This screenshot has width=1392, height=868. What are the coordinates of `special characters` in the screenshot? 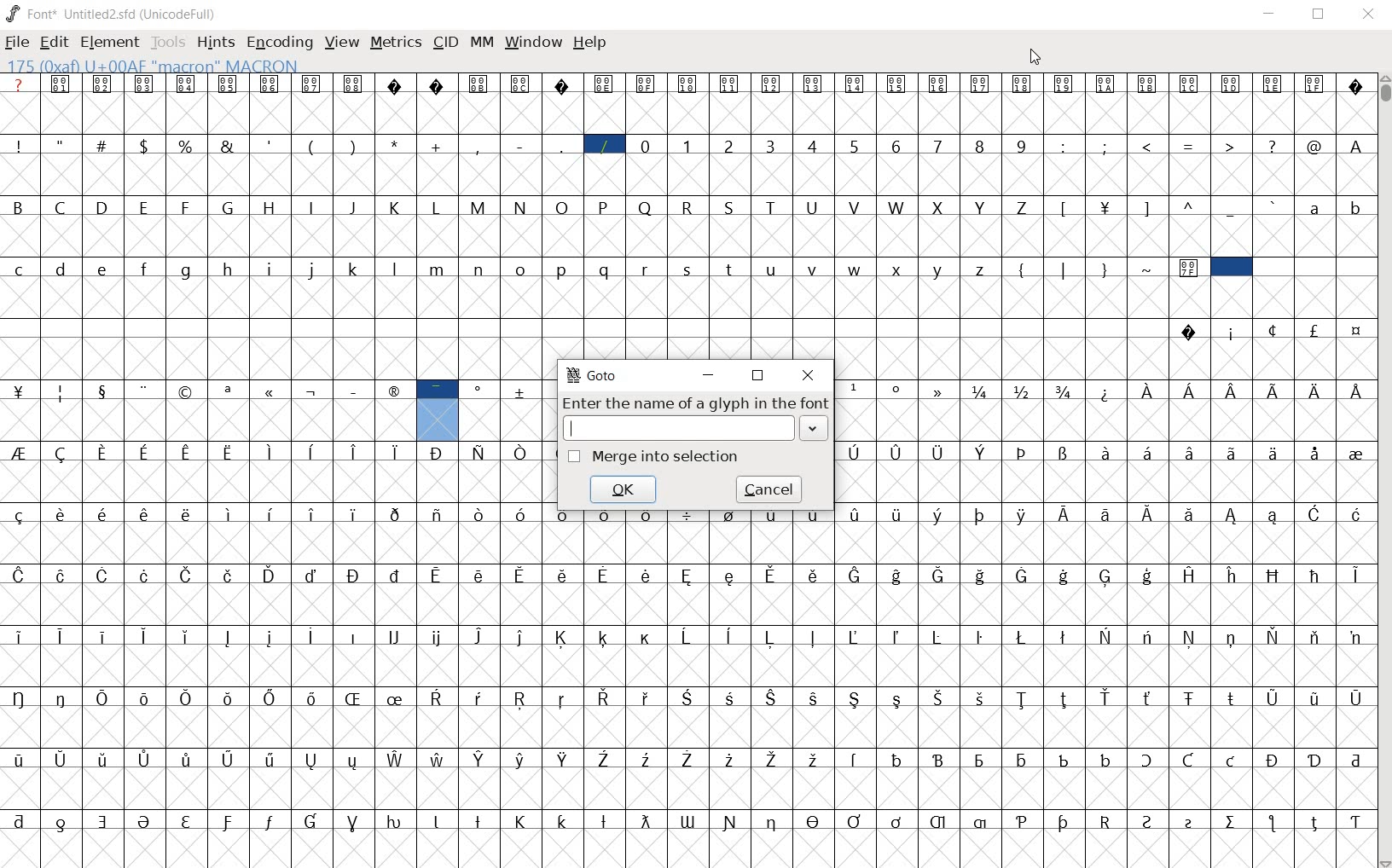 It's located at (1105, 778).